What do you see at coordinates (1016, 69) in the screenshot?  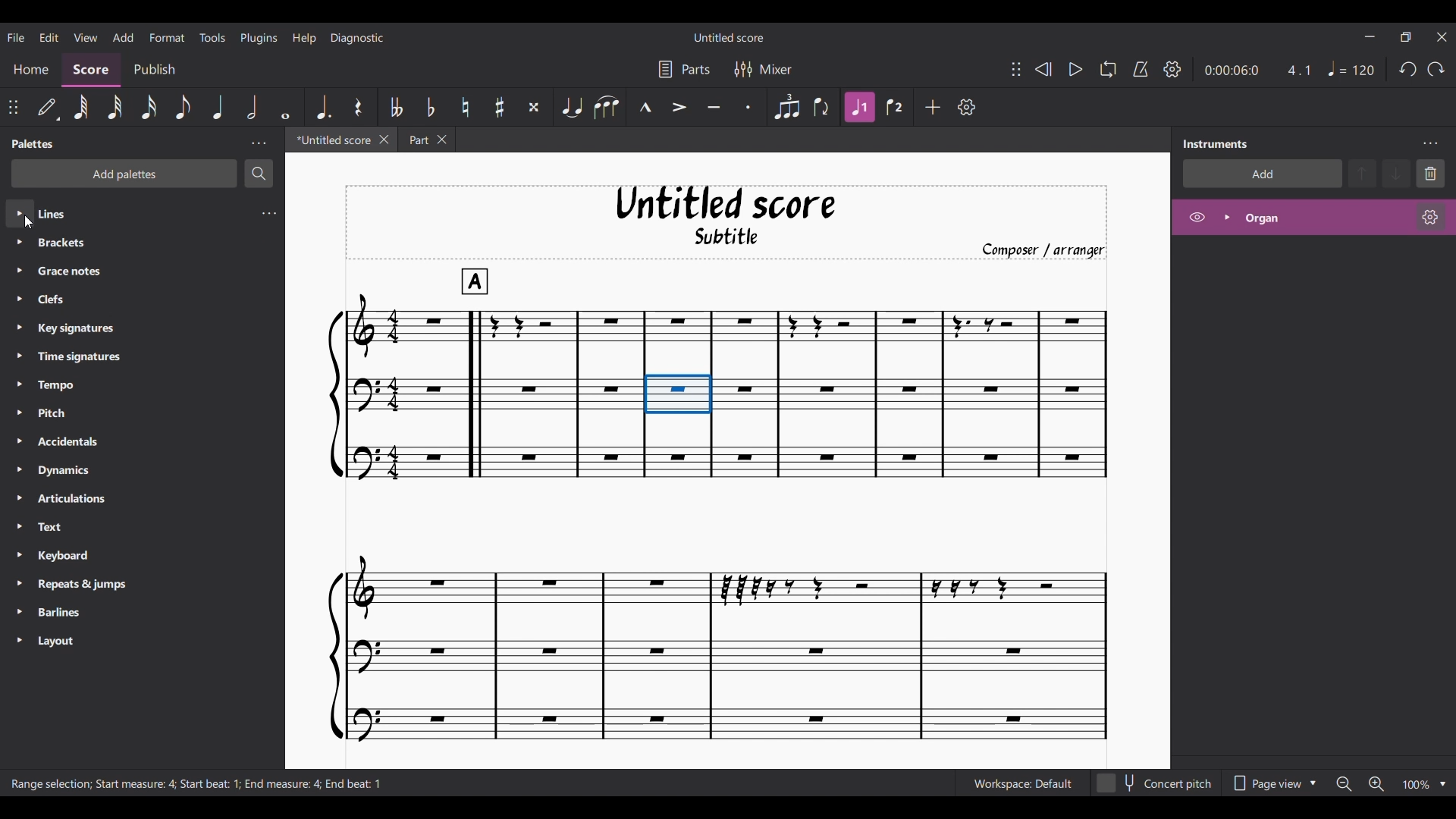 I see `Change position of toolbar attached` at bounding box center [1016, 69].